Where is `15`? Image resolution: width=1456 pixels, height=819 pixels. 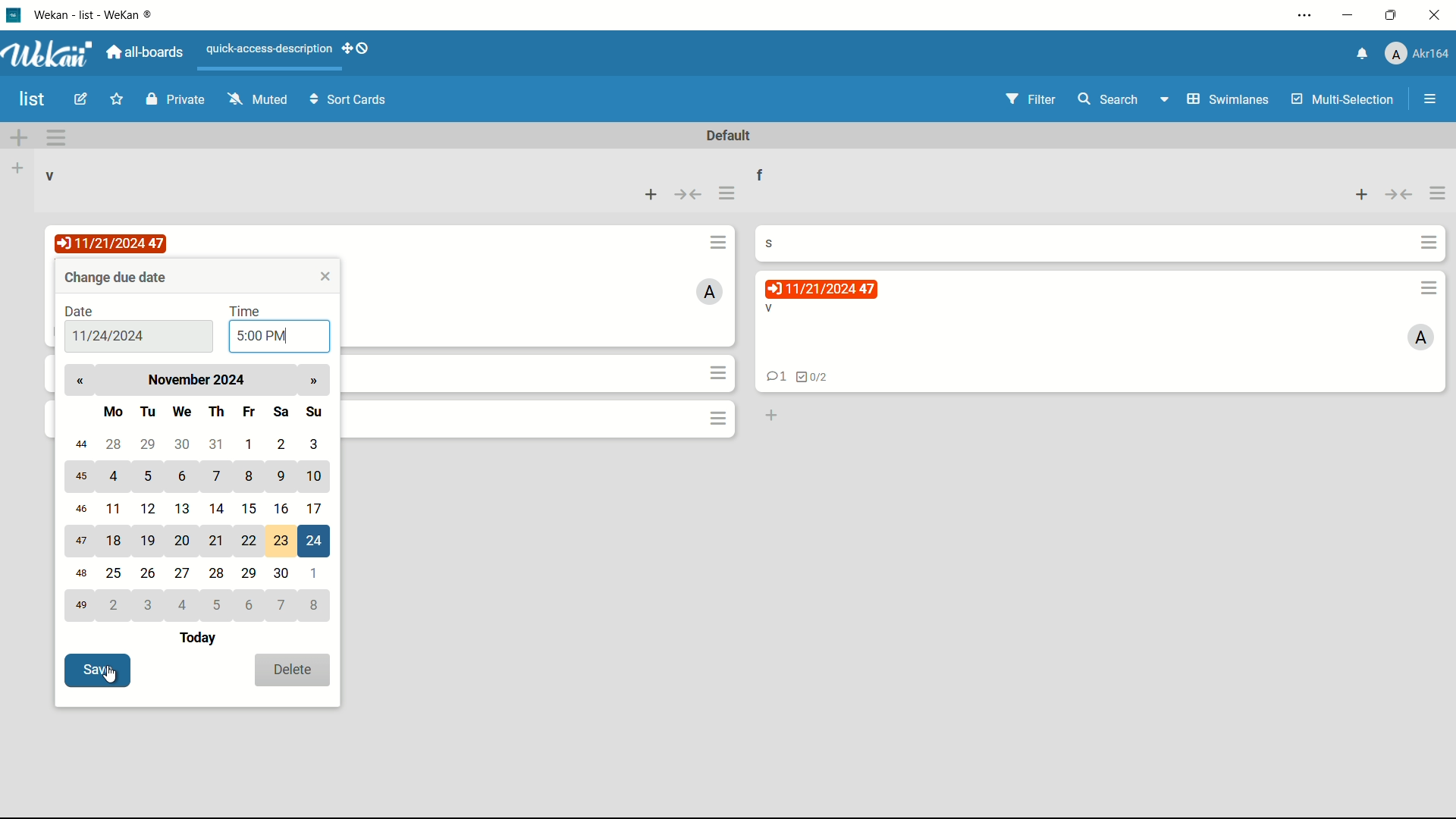
15 is located at coordinates (248, 507).